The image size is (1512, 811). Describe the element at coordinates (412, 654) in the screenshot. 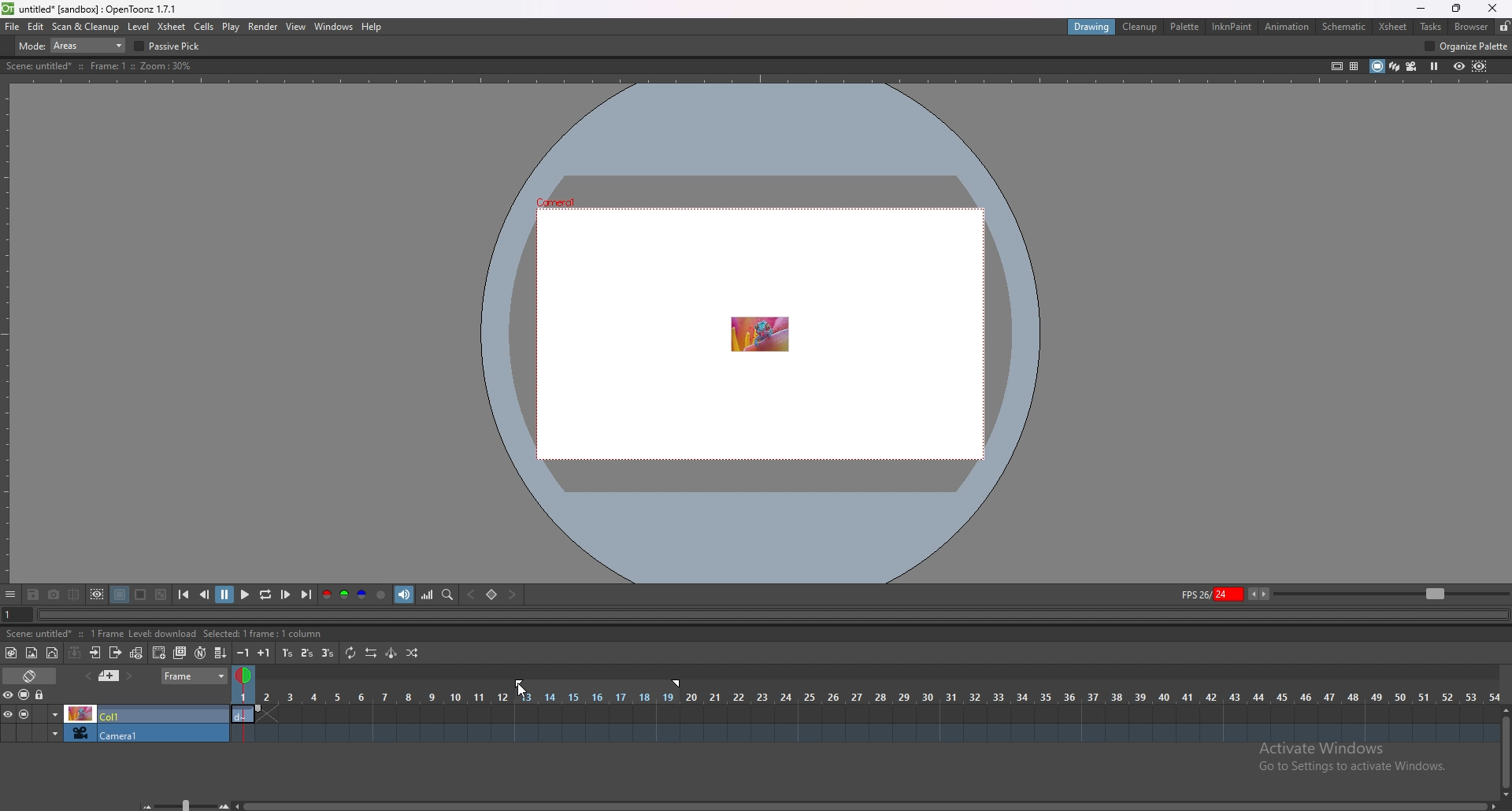

I see `random` at that location.